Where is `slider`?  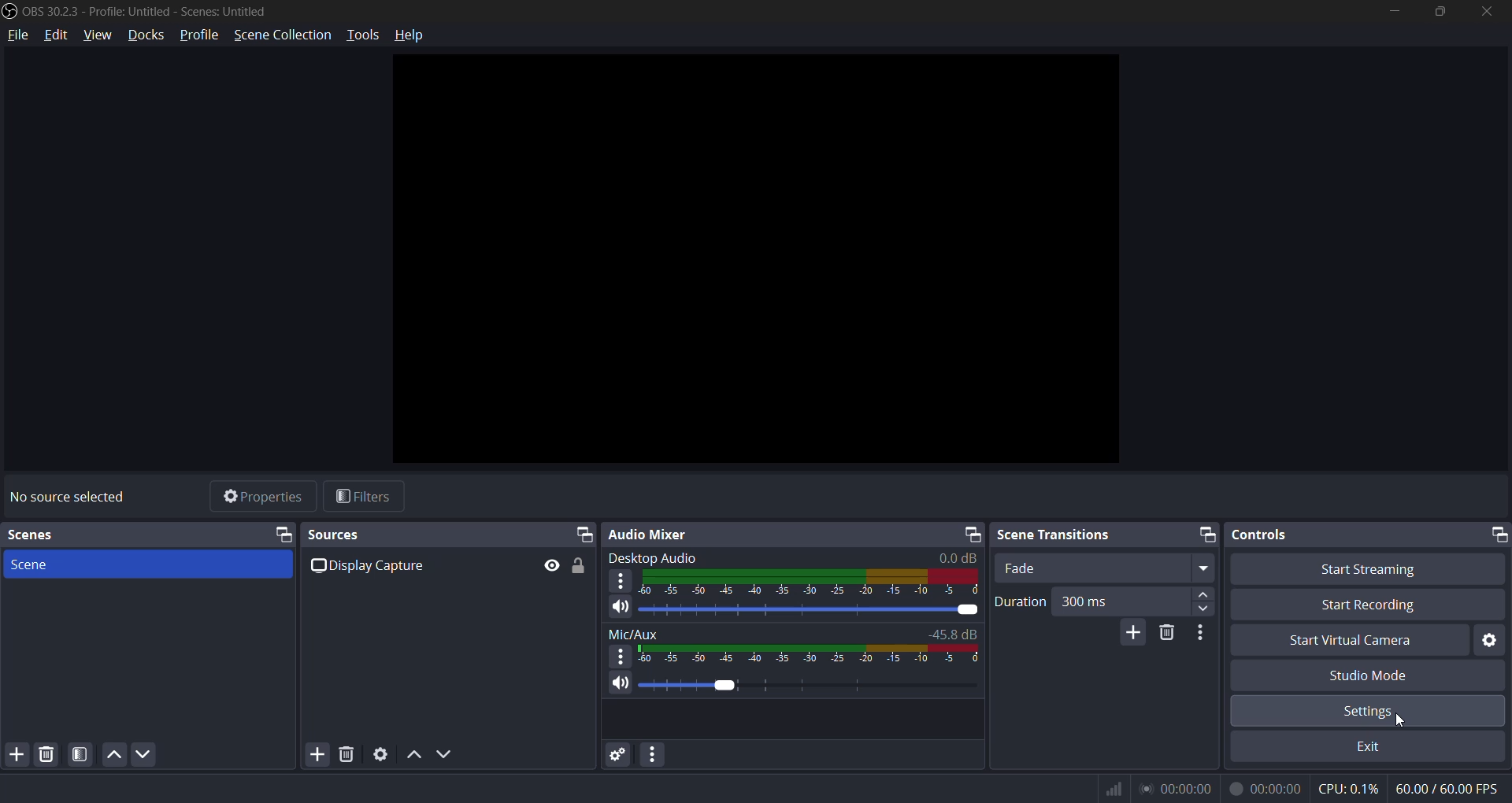 slider is located at coordinates (810, 608).